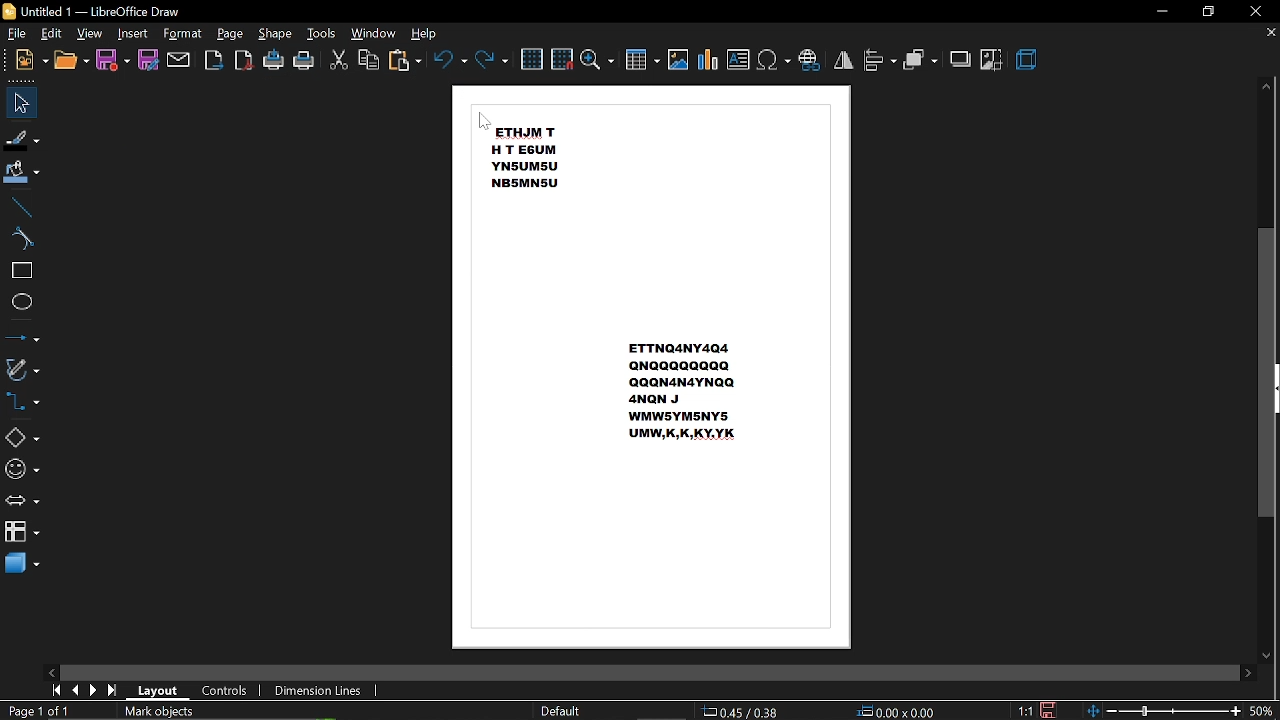 The height and width of the screenshot is (720, 1280). I want to click on previous page, so click(77, 690).